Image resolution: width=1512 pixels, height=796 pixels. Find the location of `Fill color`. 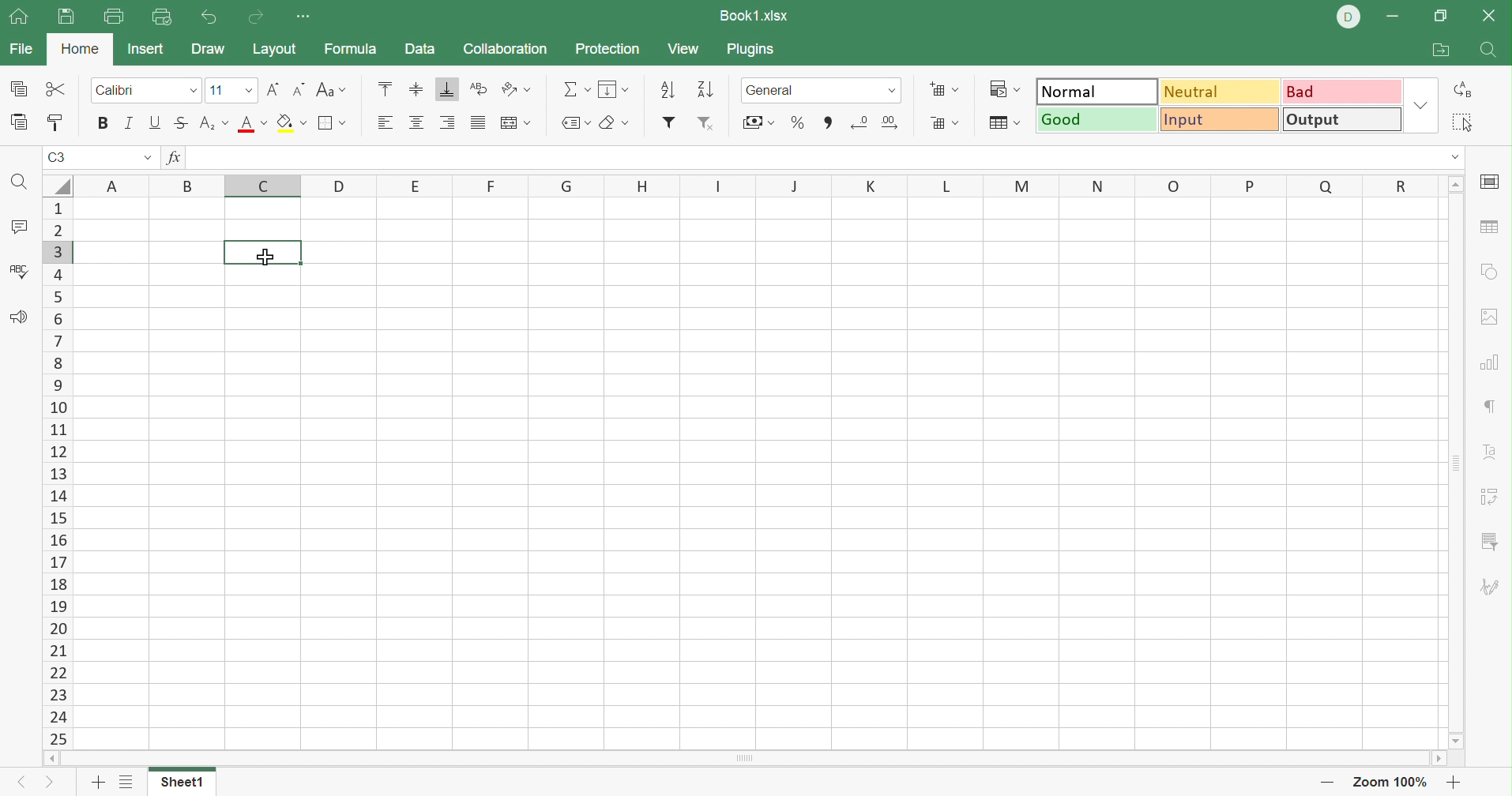

Fill color is located at coordinates (290, 123).